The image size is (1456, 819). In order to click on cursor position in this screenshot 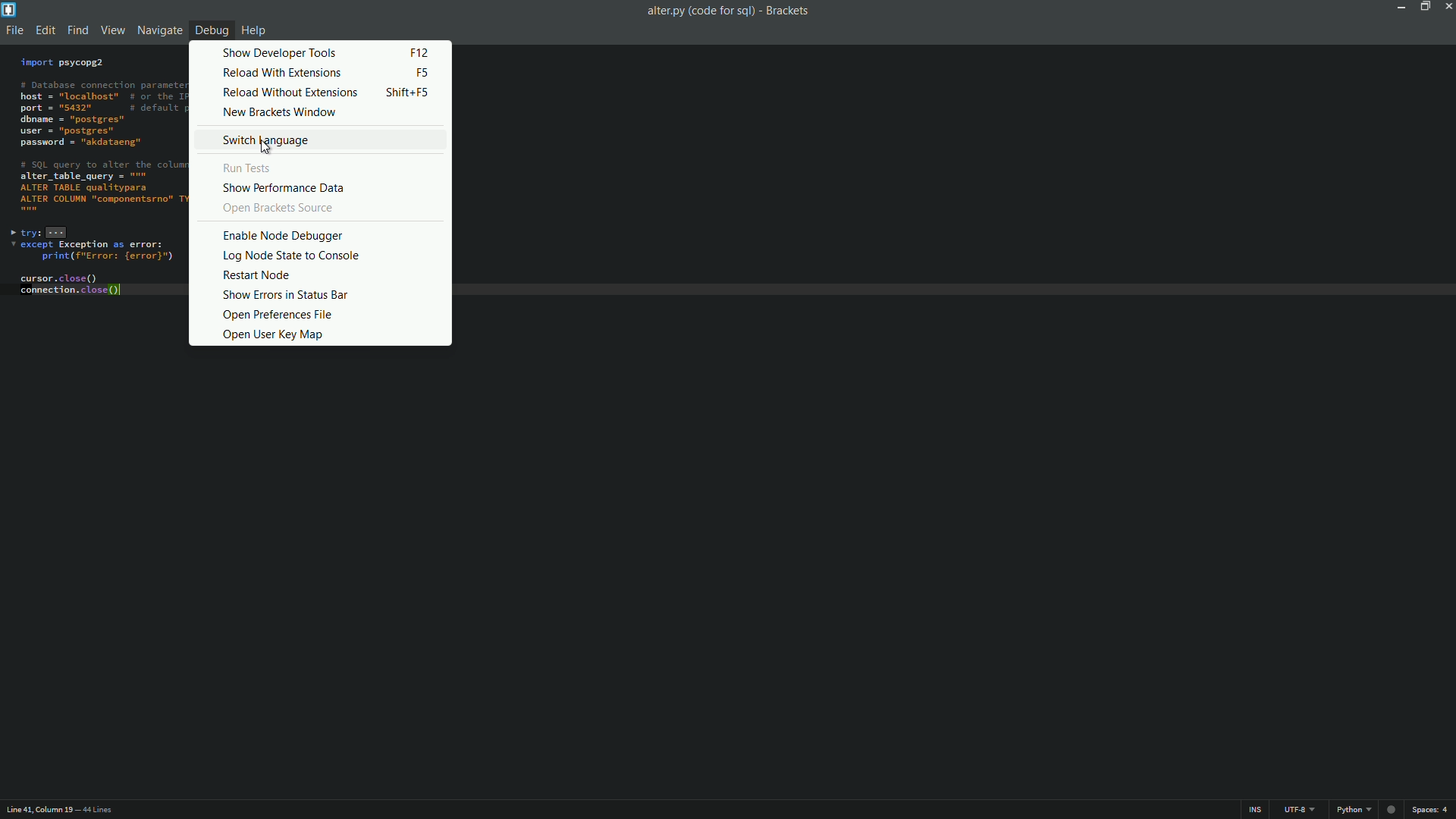, I will do `click(36, 810)`.